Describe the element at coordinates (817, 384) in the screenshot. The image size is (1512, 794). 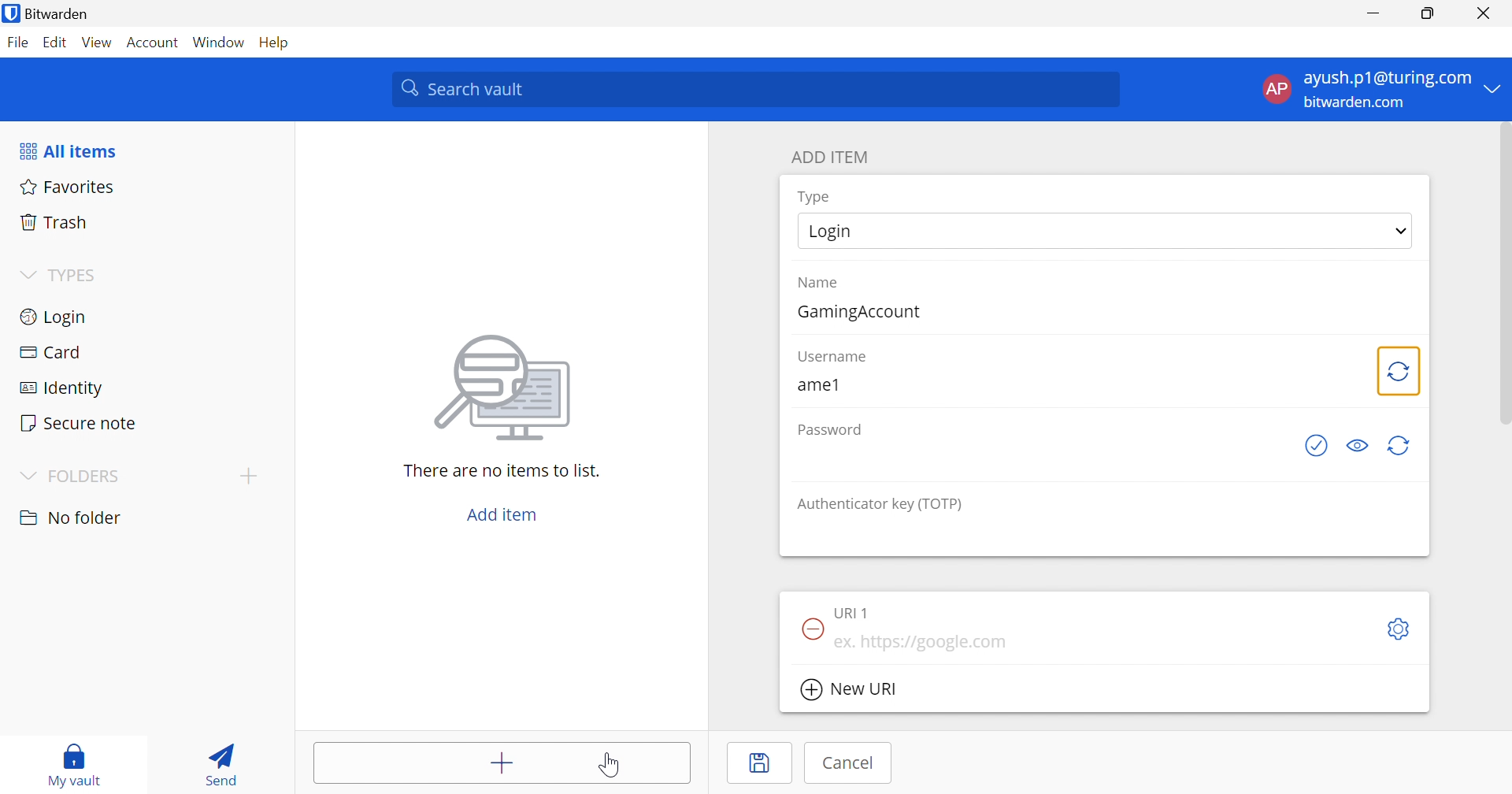
I see `ame1` at that location.